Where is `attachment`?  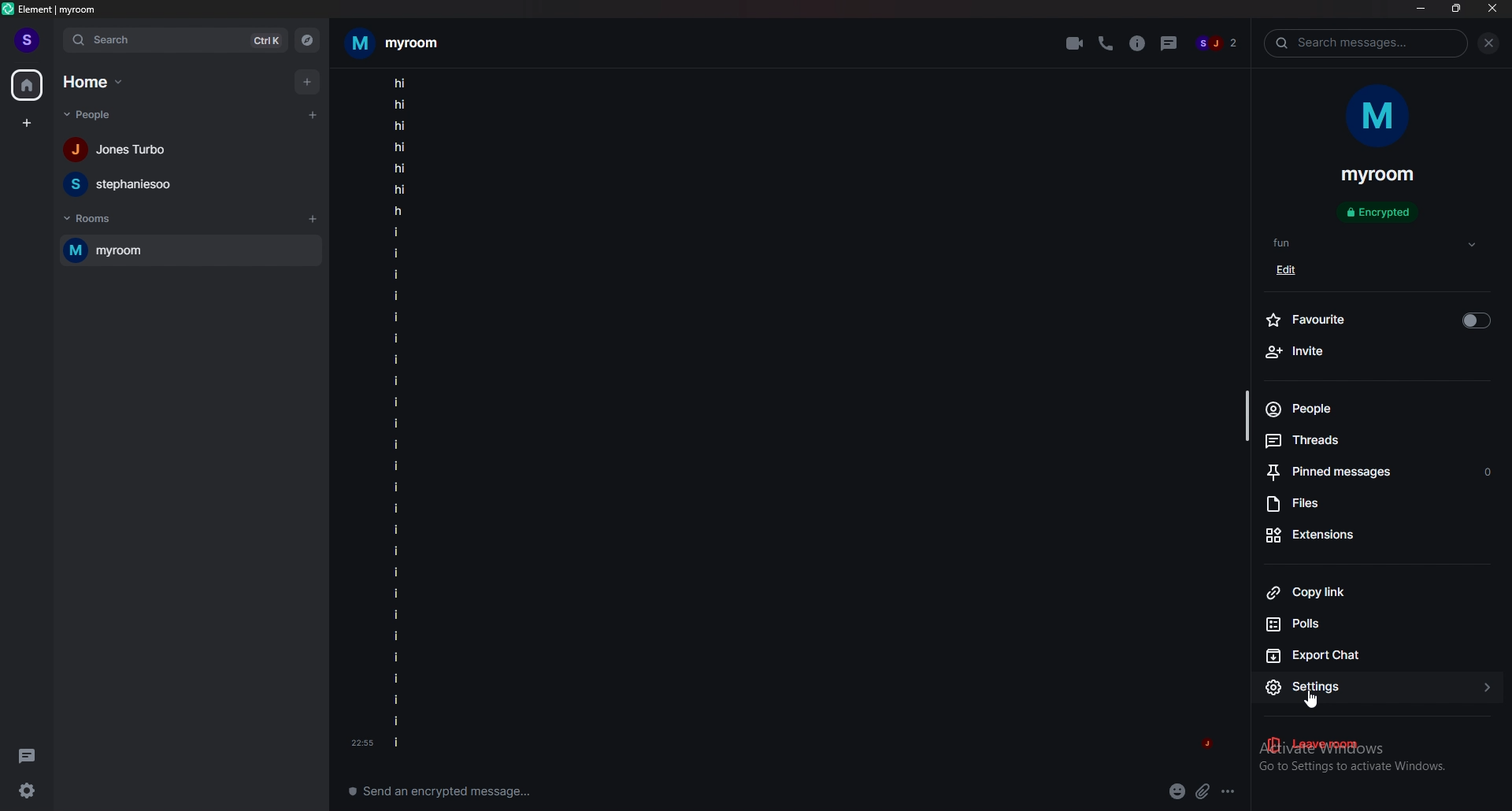 attachment is located at coordinates (1203, 792).